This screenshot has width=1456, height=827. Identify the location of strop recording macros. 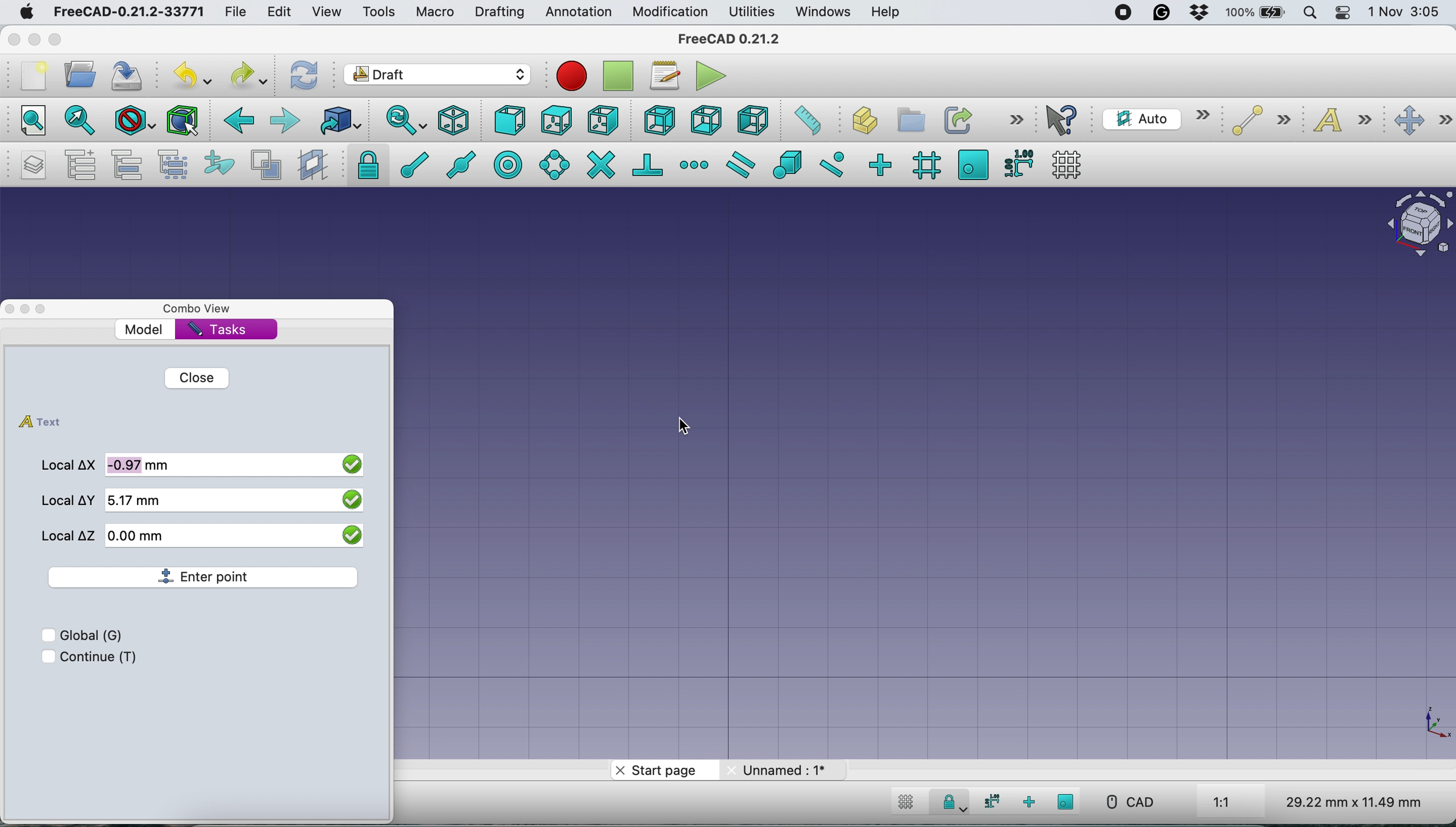
(621, 75).